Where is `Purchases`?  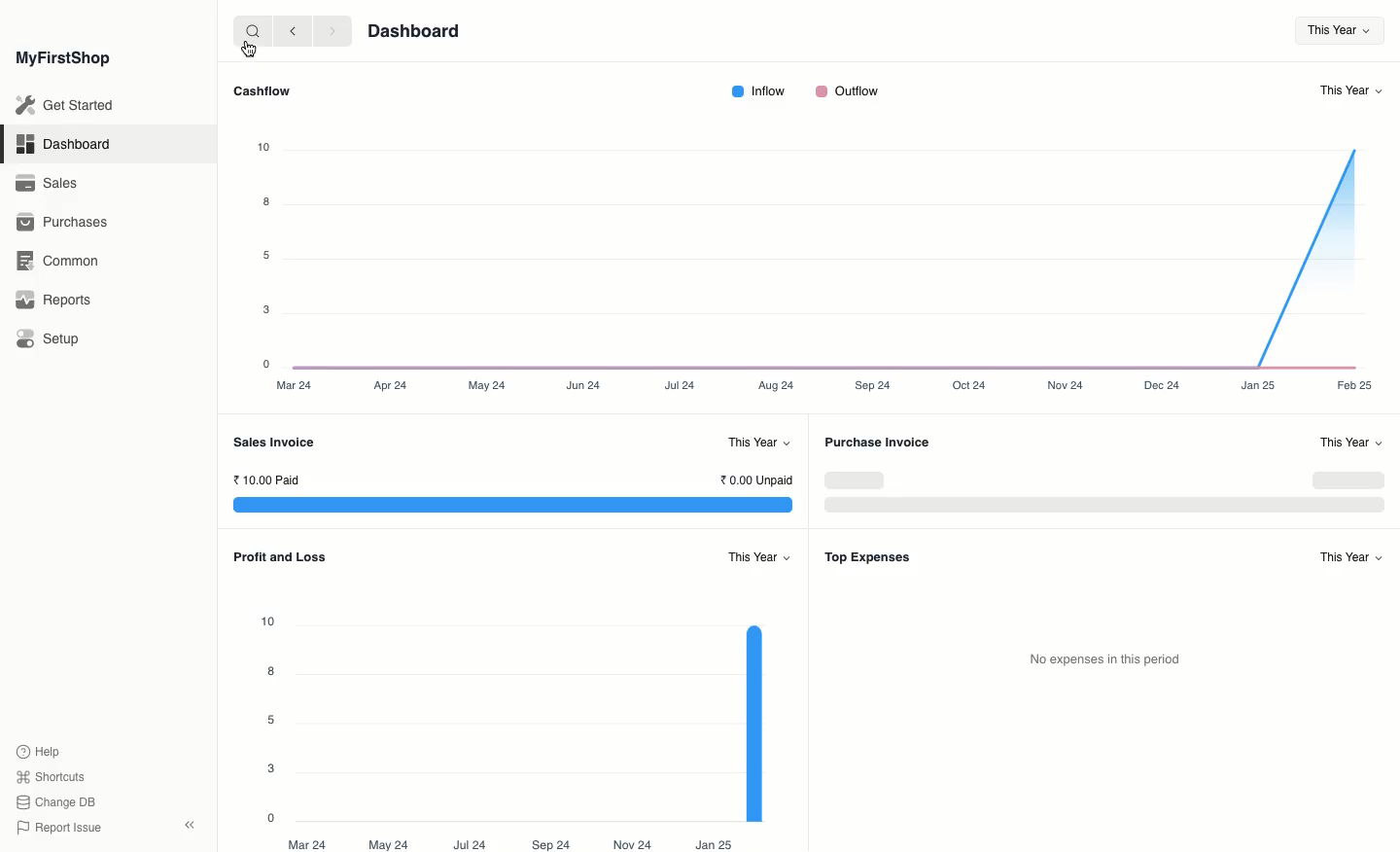 Purchases is located at coordinates (67, 223).